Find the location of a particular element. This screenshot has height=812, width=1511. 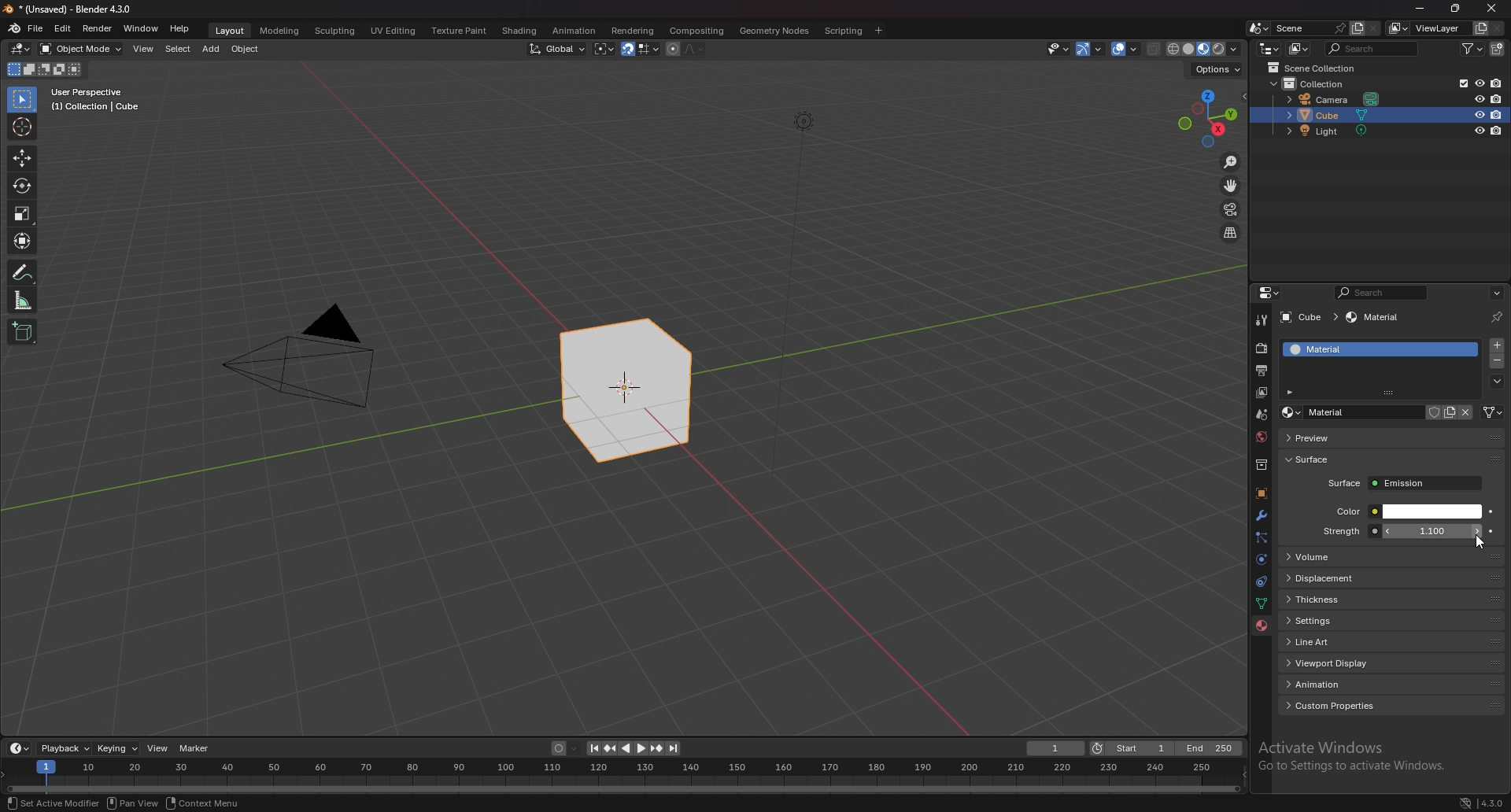

material is located at coordinates (1376, 318).